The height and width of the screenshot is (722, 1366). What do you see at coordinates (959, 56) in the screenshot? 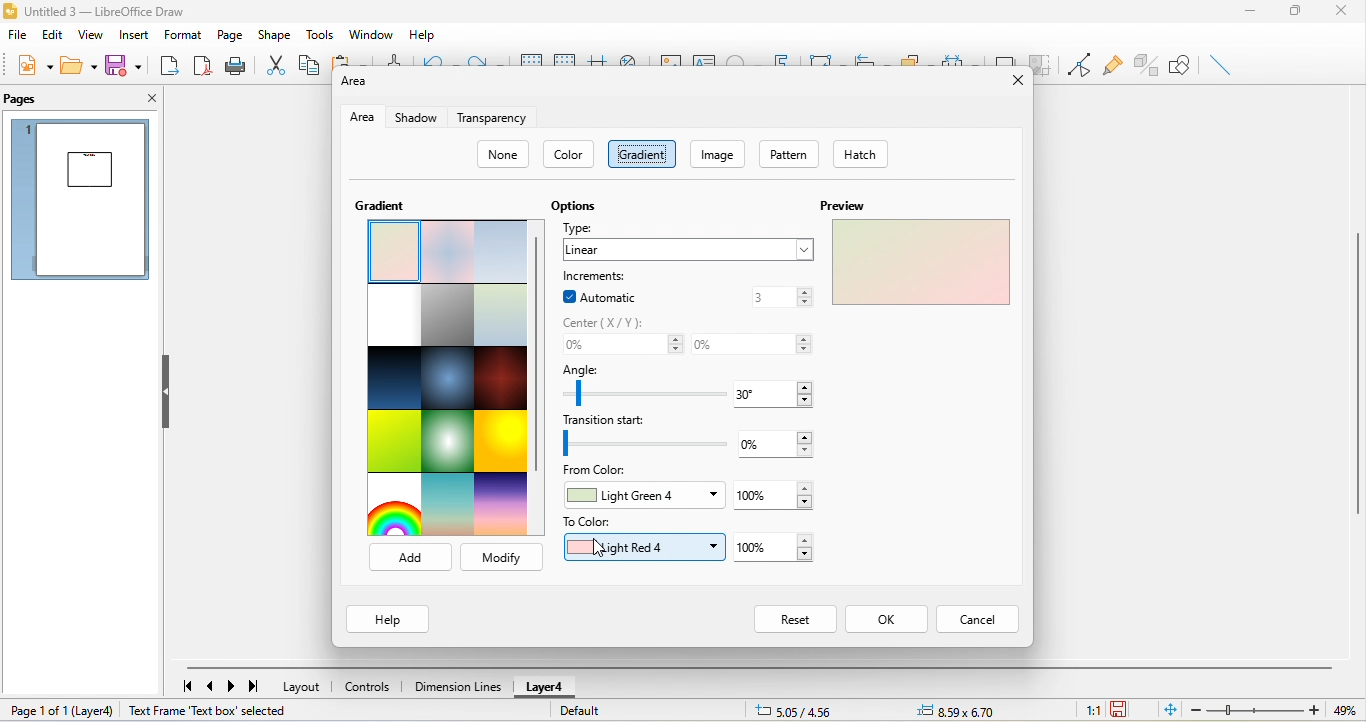
I see `select at least three object` at bounding box center [959, 56].